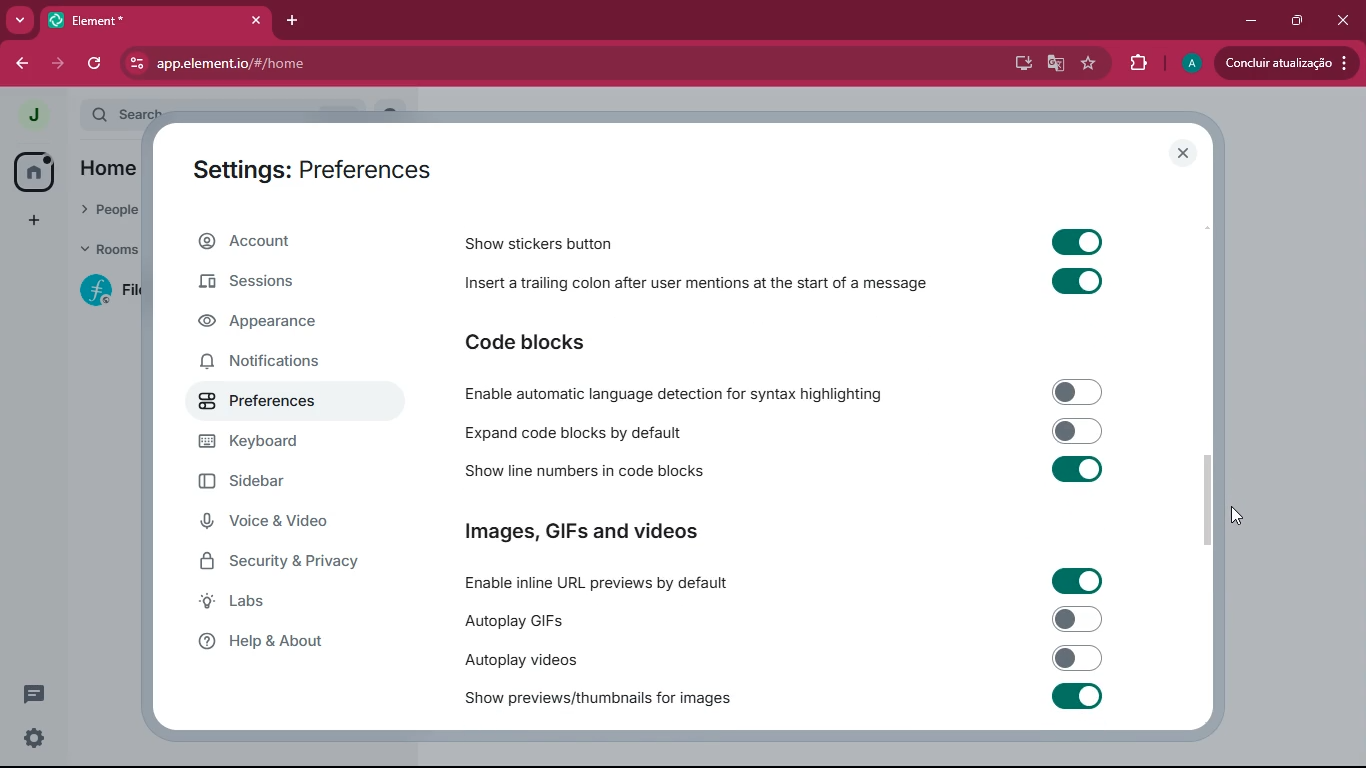  Describe the element at coordinates (579, 472) in the screenshot. I see `line numbers` at that location.